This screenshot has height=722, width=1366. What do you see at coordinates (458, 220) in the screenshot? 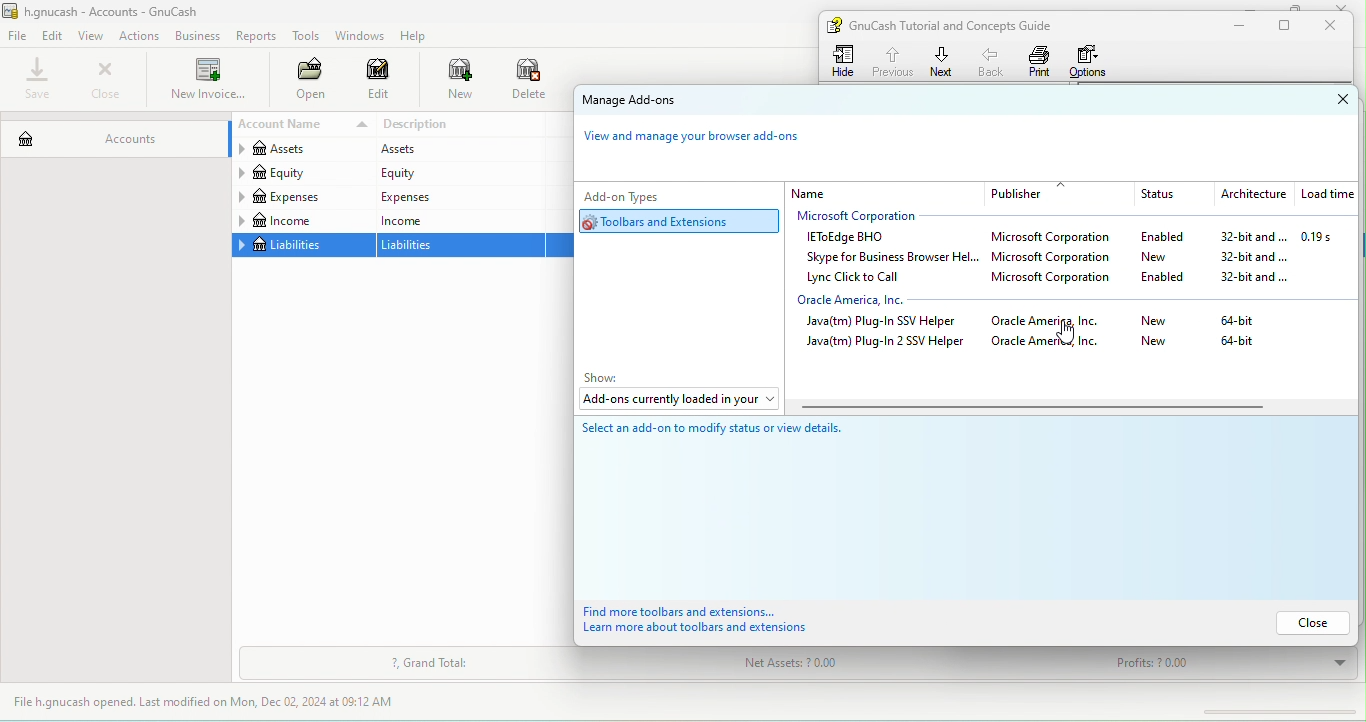
I see `income` at bounding box center [458, 220].